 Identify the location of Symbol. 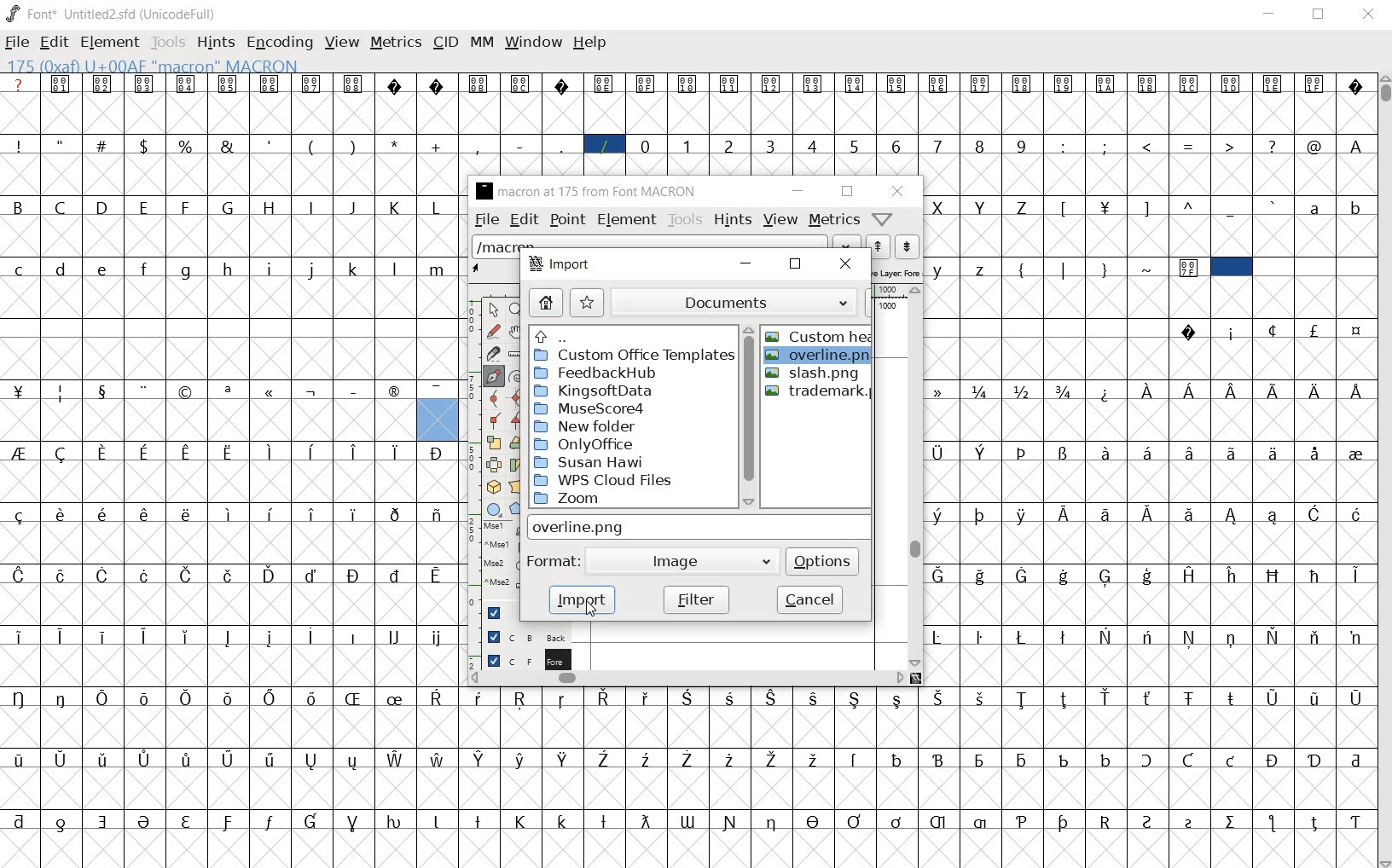
(1107, 697).